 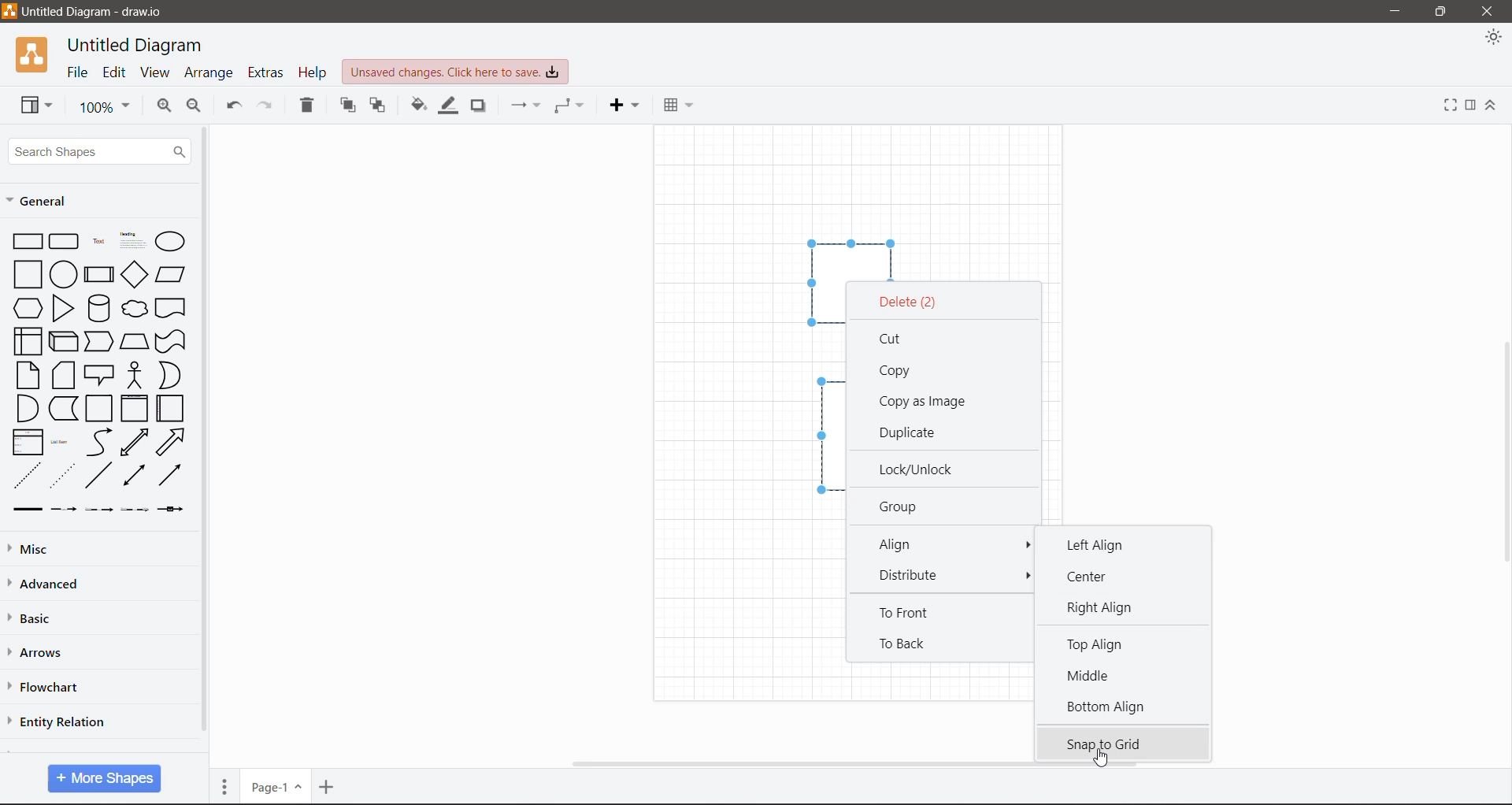 I want to click on Cut, so click(x=899, y=338).